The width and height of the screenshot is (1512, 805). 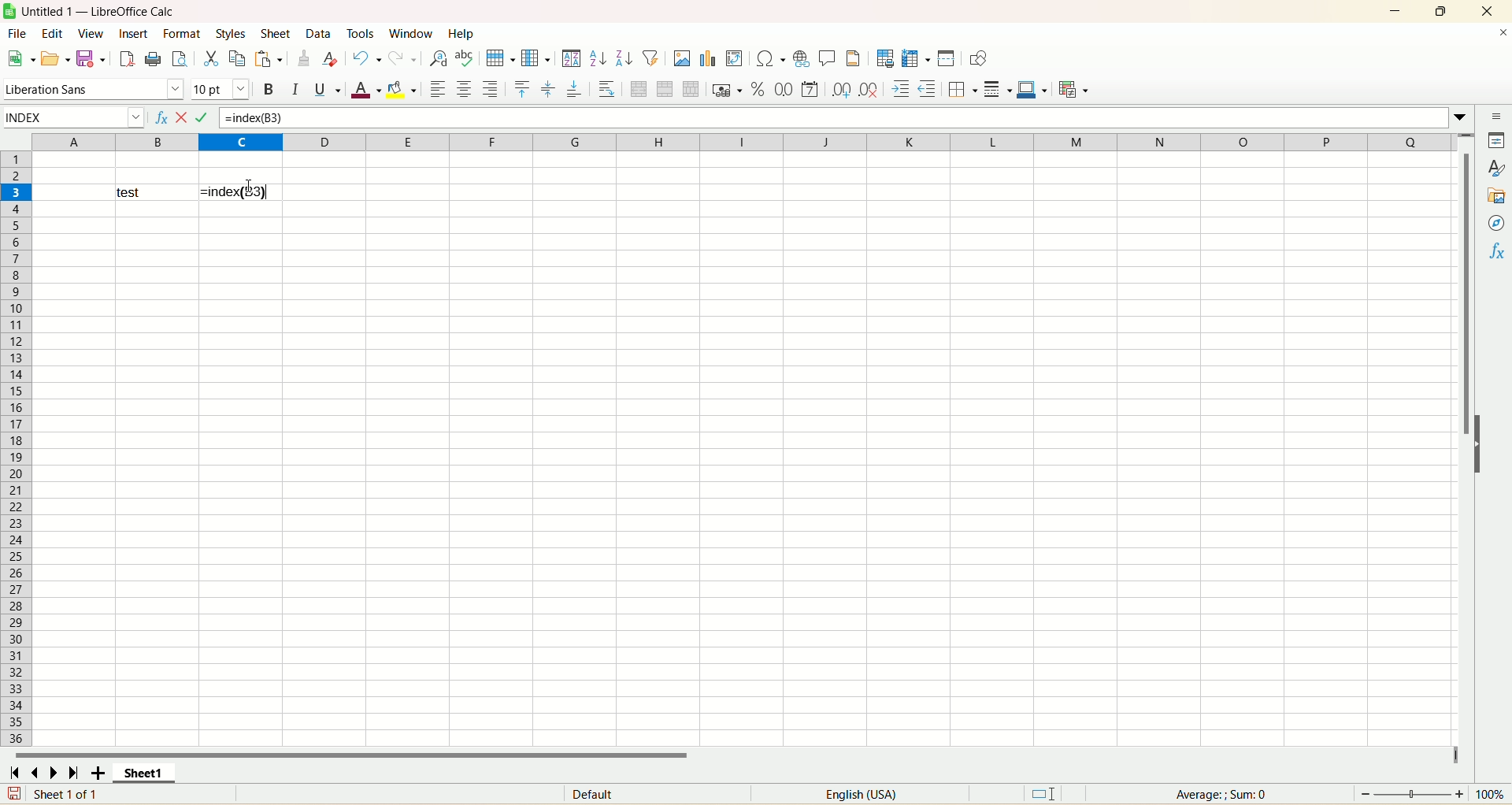 I want to click on Untitled 1 — LibreOffice Calc, so click(x=97, y=11).